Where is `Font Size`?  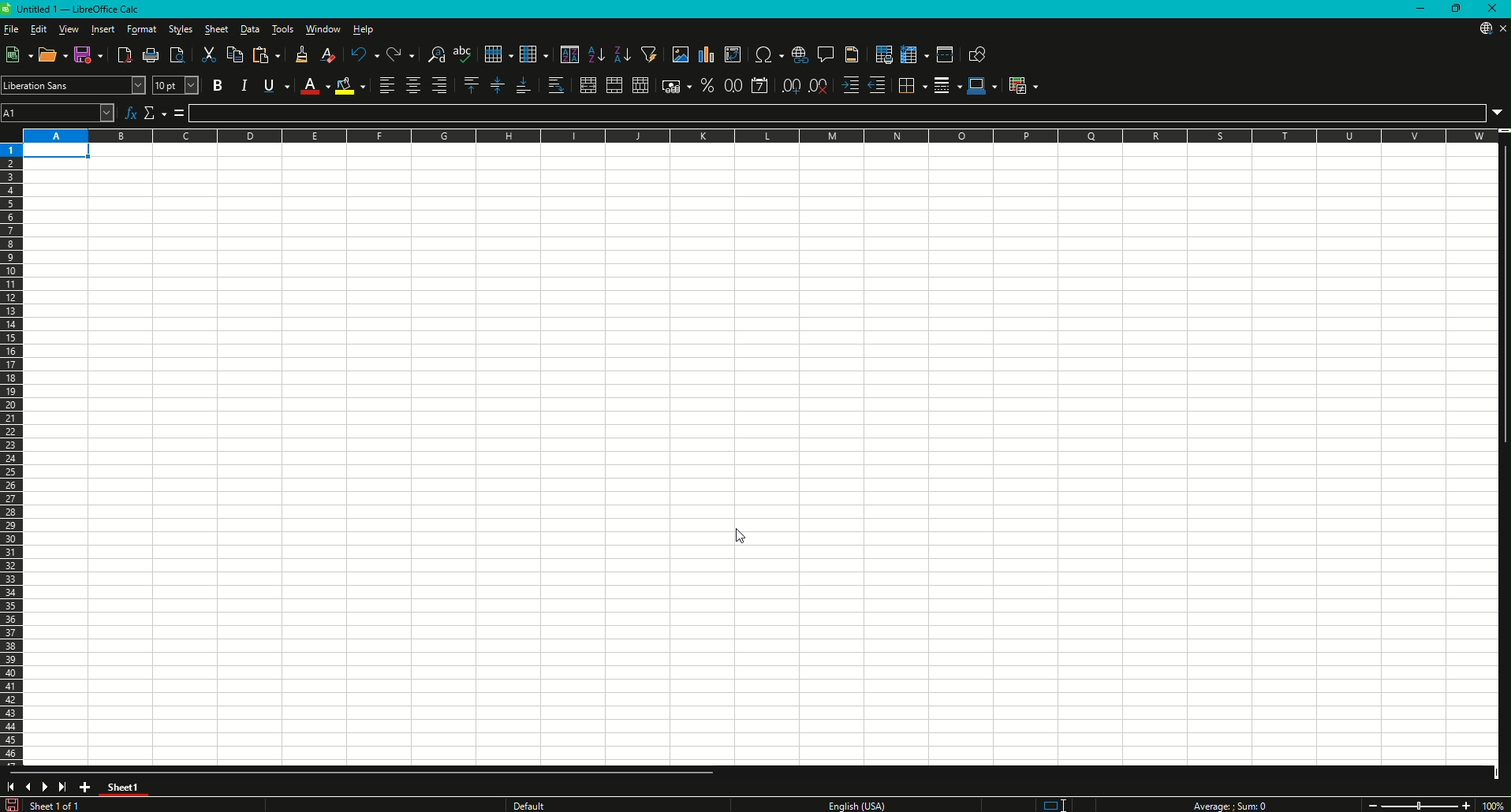 Font Size is located at coordinates (176, 85).